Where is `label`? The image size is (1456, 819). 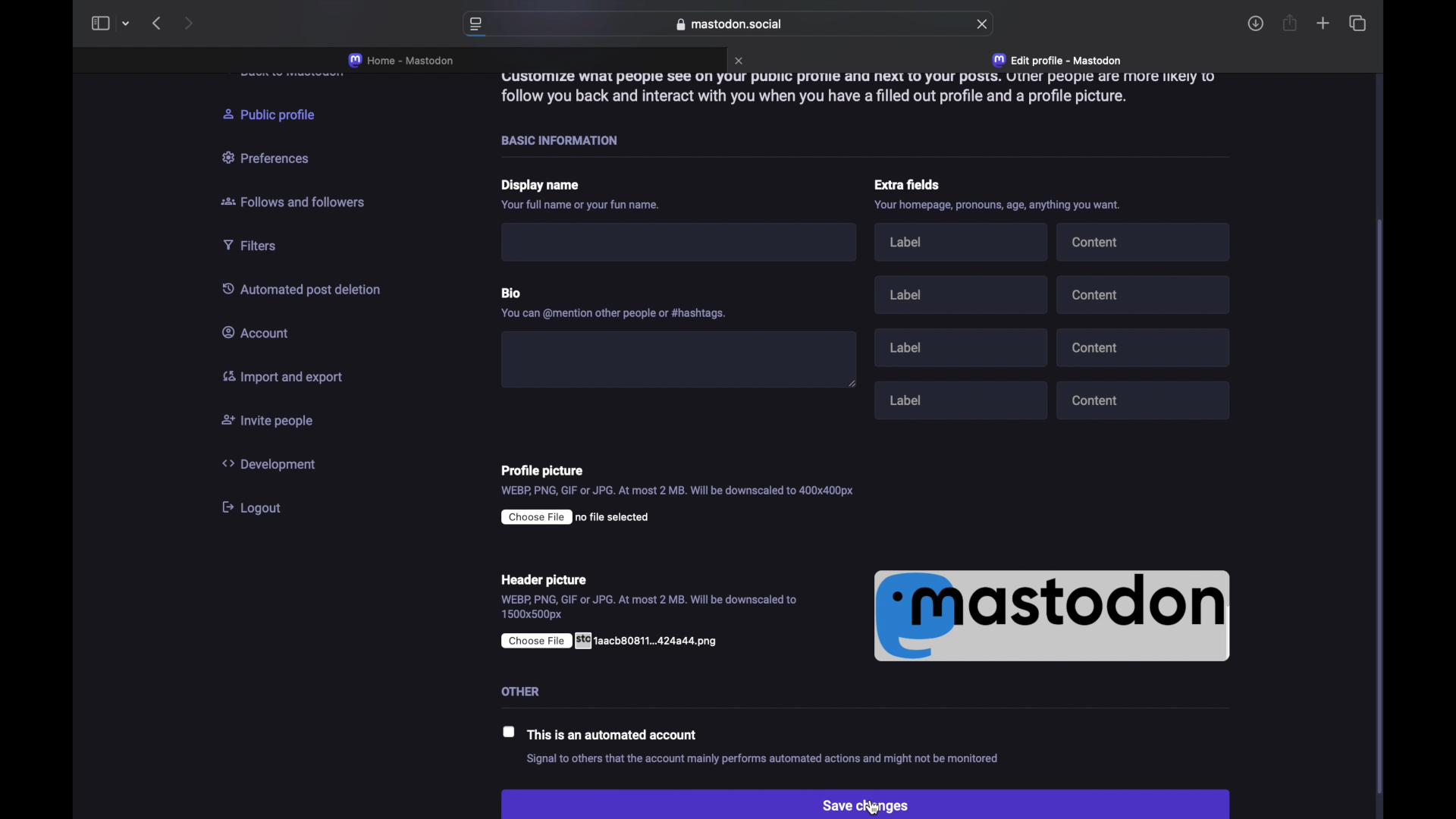
label is located at coordinates (964, 244).